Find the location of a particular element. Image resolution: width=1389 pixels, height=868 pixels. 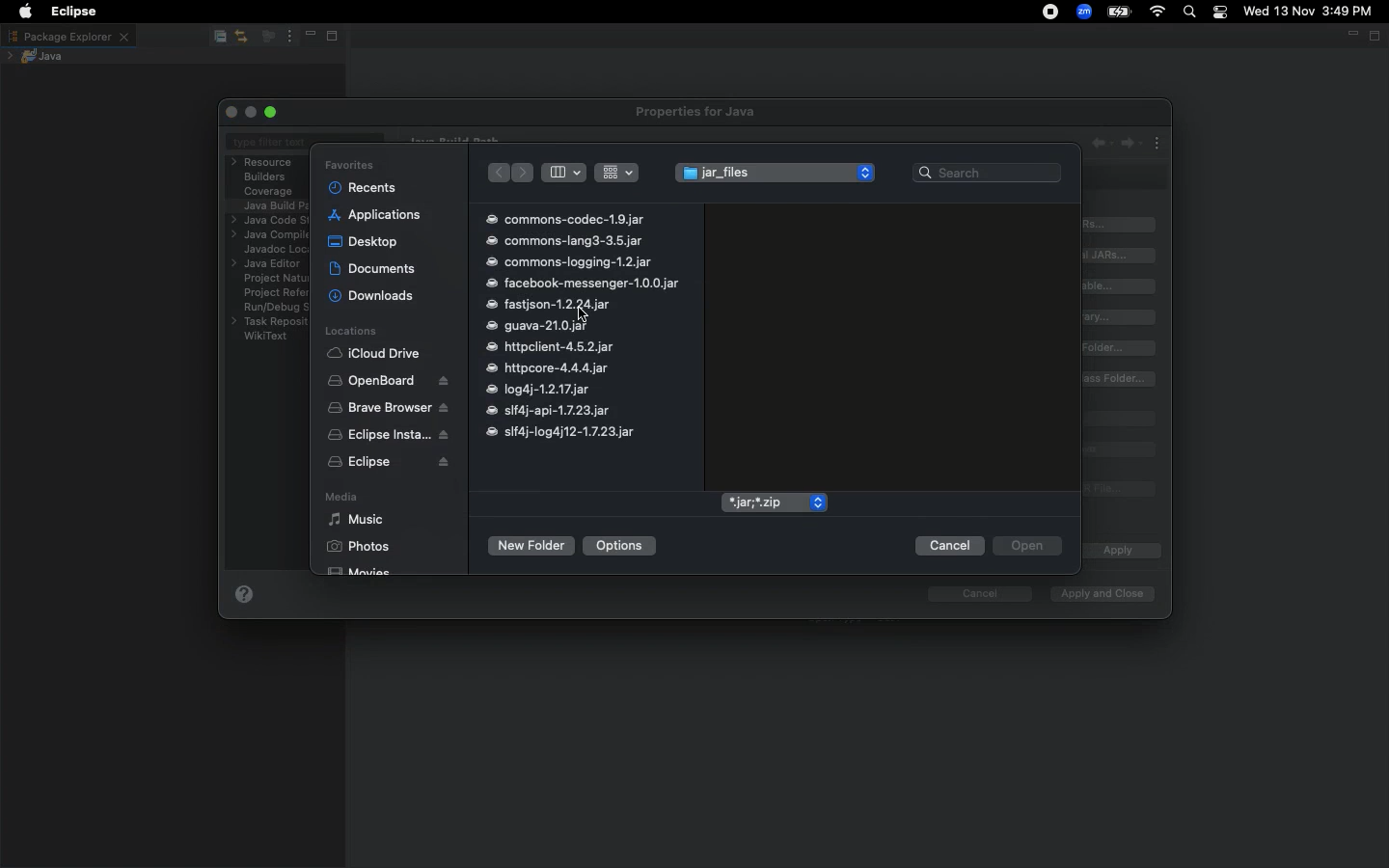

Music is located at coordinates (356, 520).